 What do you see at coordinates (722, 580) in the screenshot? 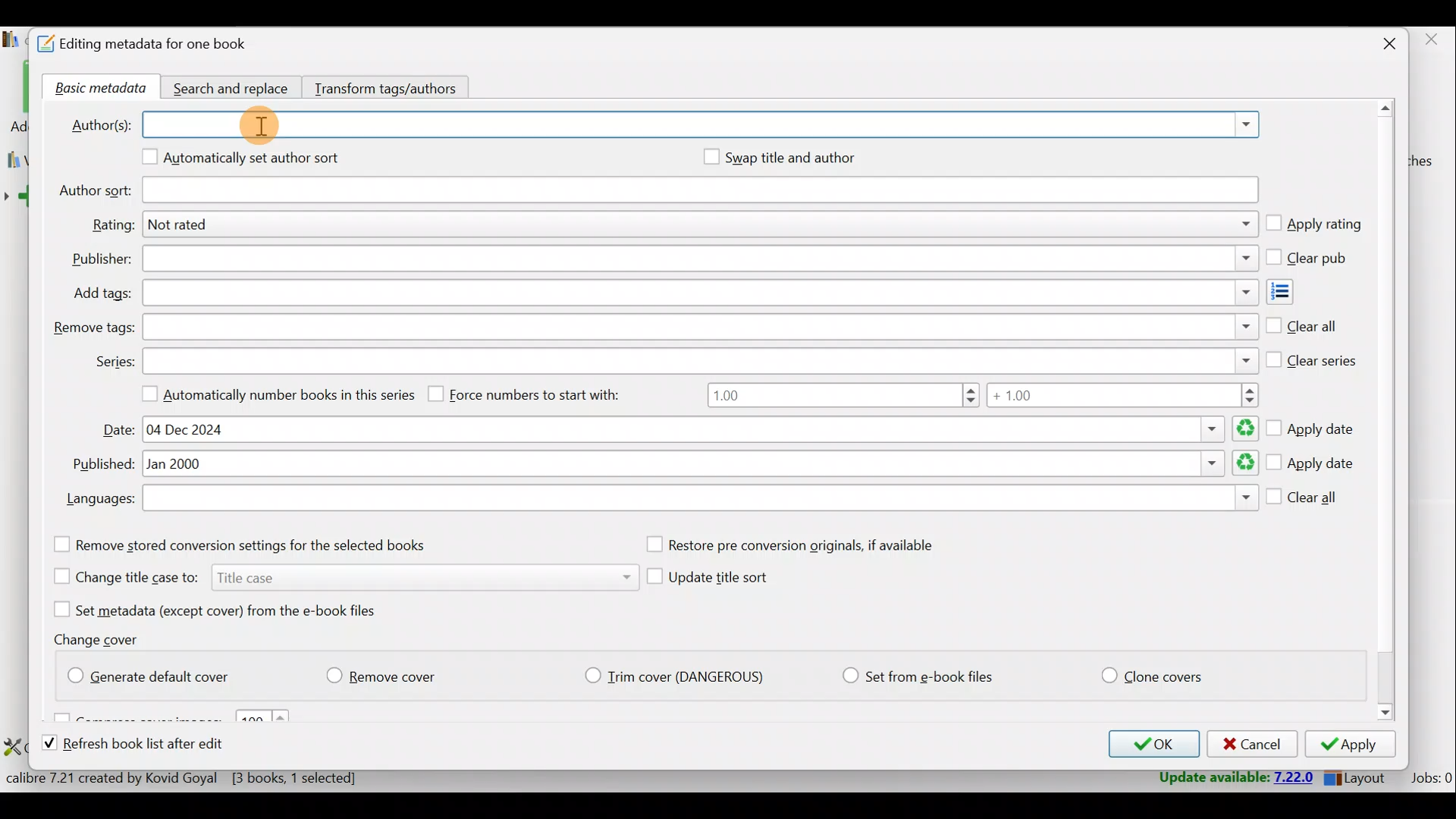
I see `Update title sort` at bounding box center [722, 580].